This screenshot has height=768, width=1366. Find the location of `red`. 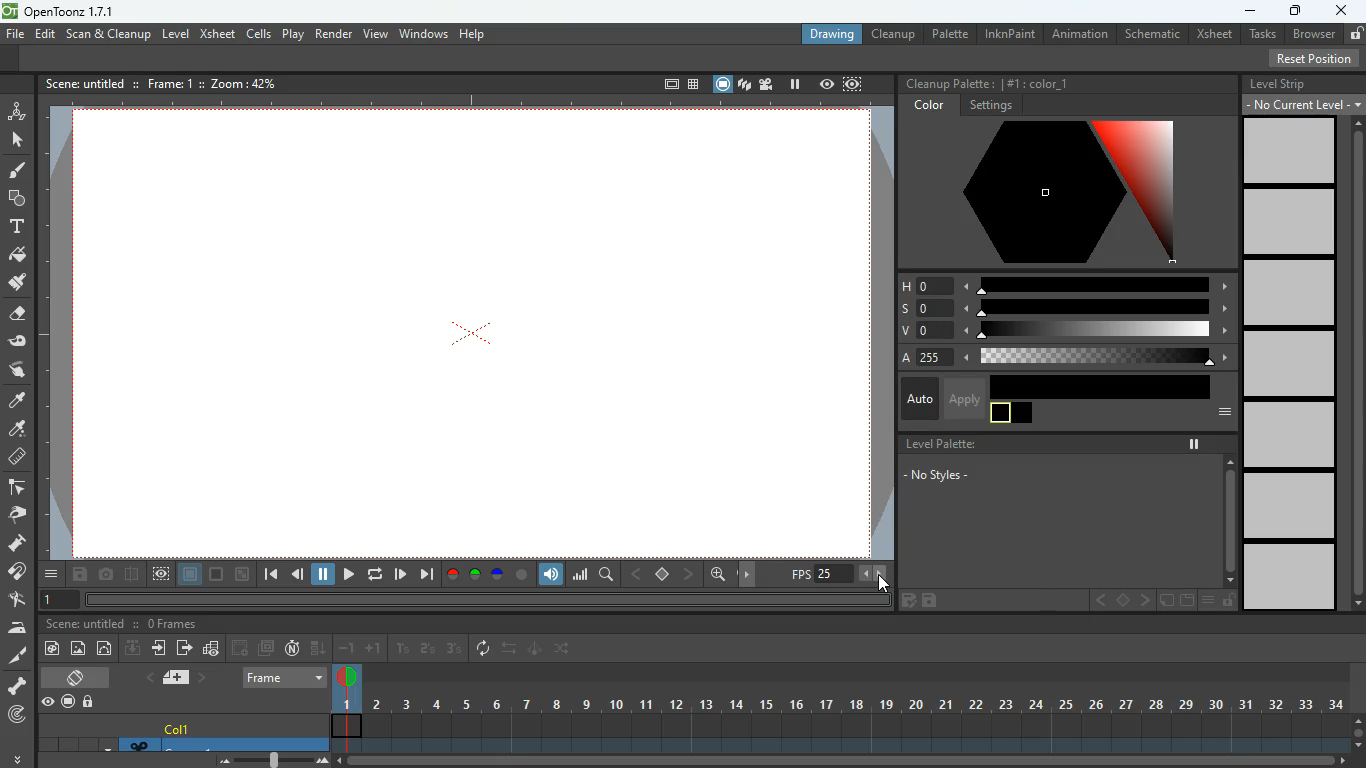

red is located at coordinates (454, 574).